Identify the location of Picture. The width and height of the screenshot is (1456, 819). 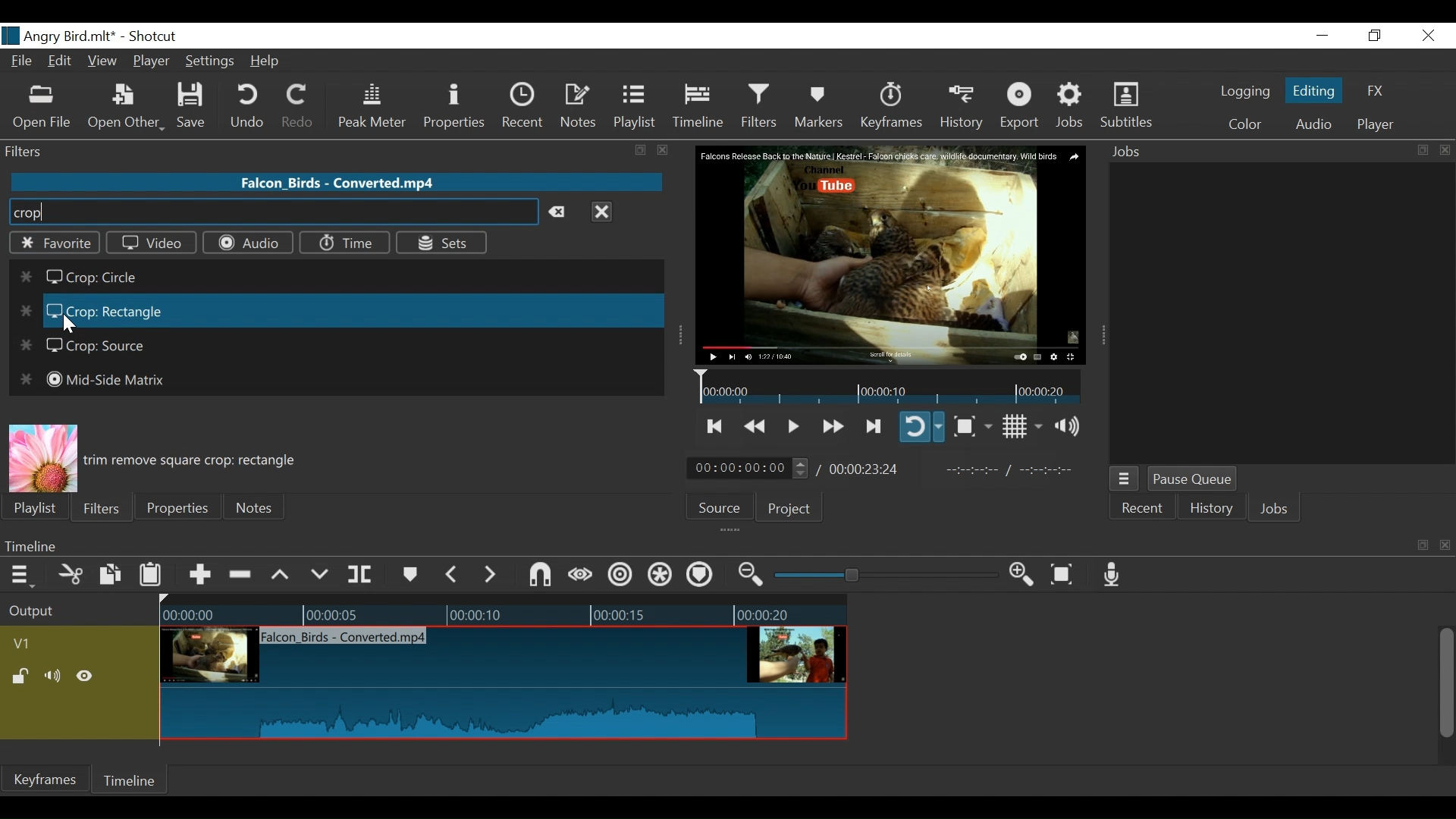
(42, 457).